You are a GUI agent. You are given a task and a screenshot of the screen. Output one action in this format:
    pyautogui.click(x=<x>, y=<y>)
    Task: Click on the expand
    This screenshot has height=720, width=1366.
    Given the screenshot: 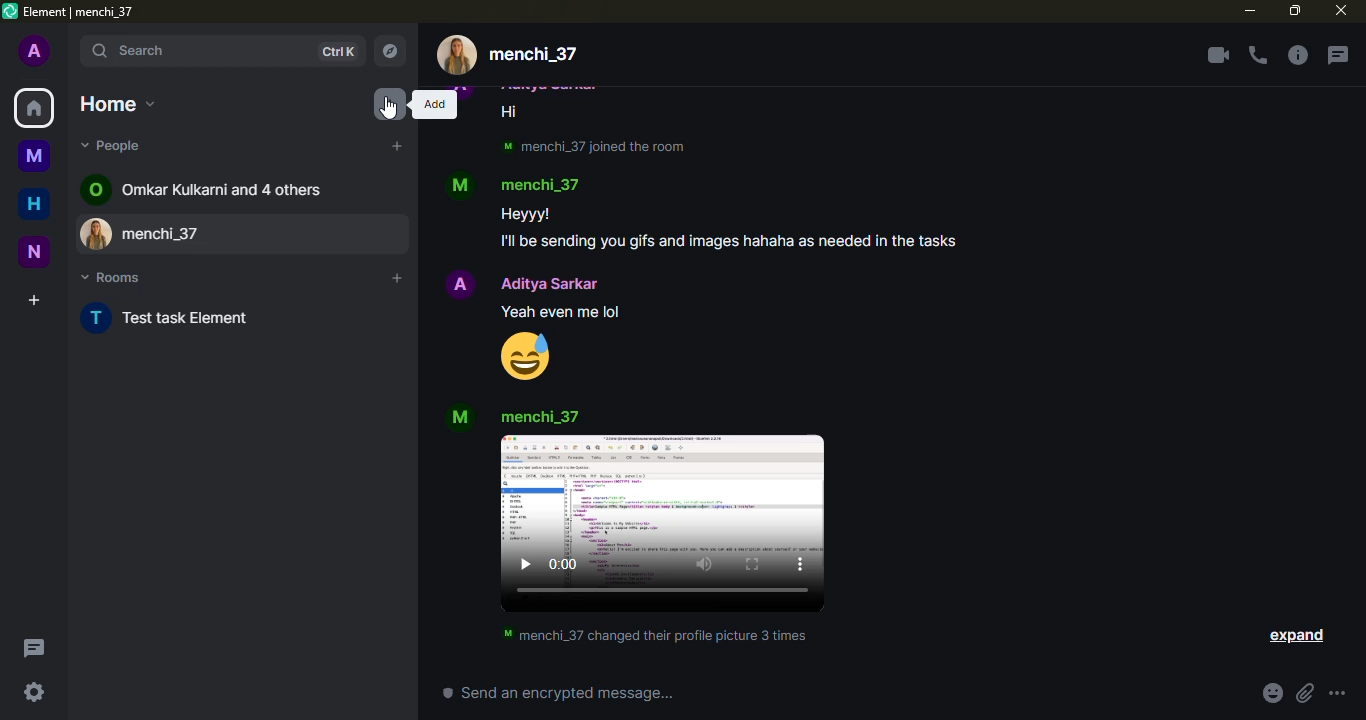 What is the action you would take?
    pyautogui.click(x=1295, y=636)
    